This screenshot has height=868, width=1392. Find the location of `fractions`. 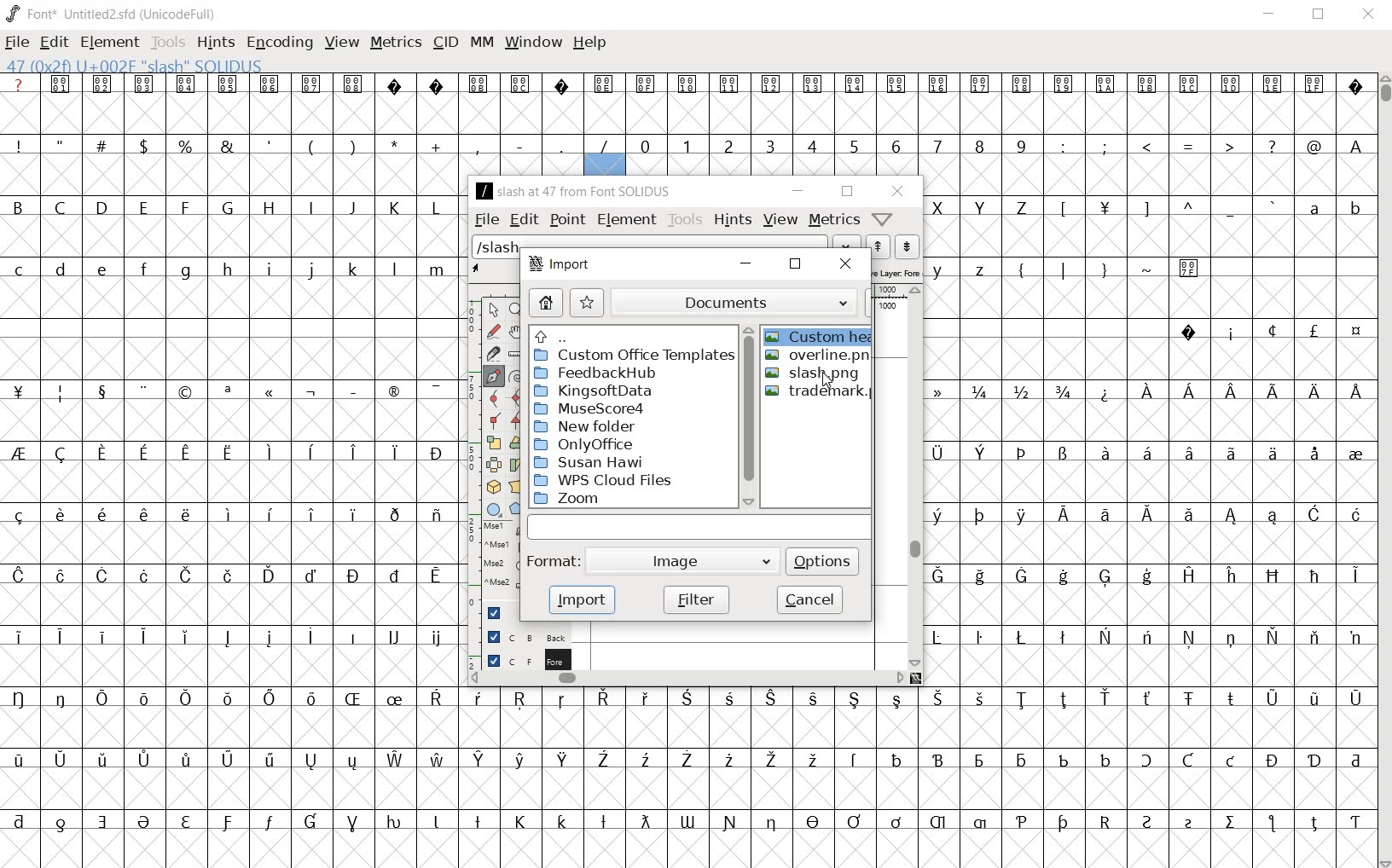

fractions is located at coordinates (1030, 391).